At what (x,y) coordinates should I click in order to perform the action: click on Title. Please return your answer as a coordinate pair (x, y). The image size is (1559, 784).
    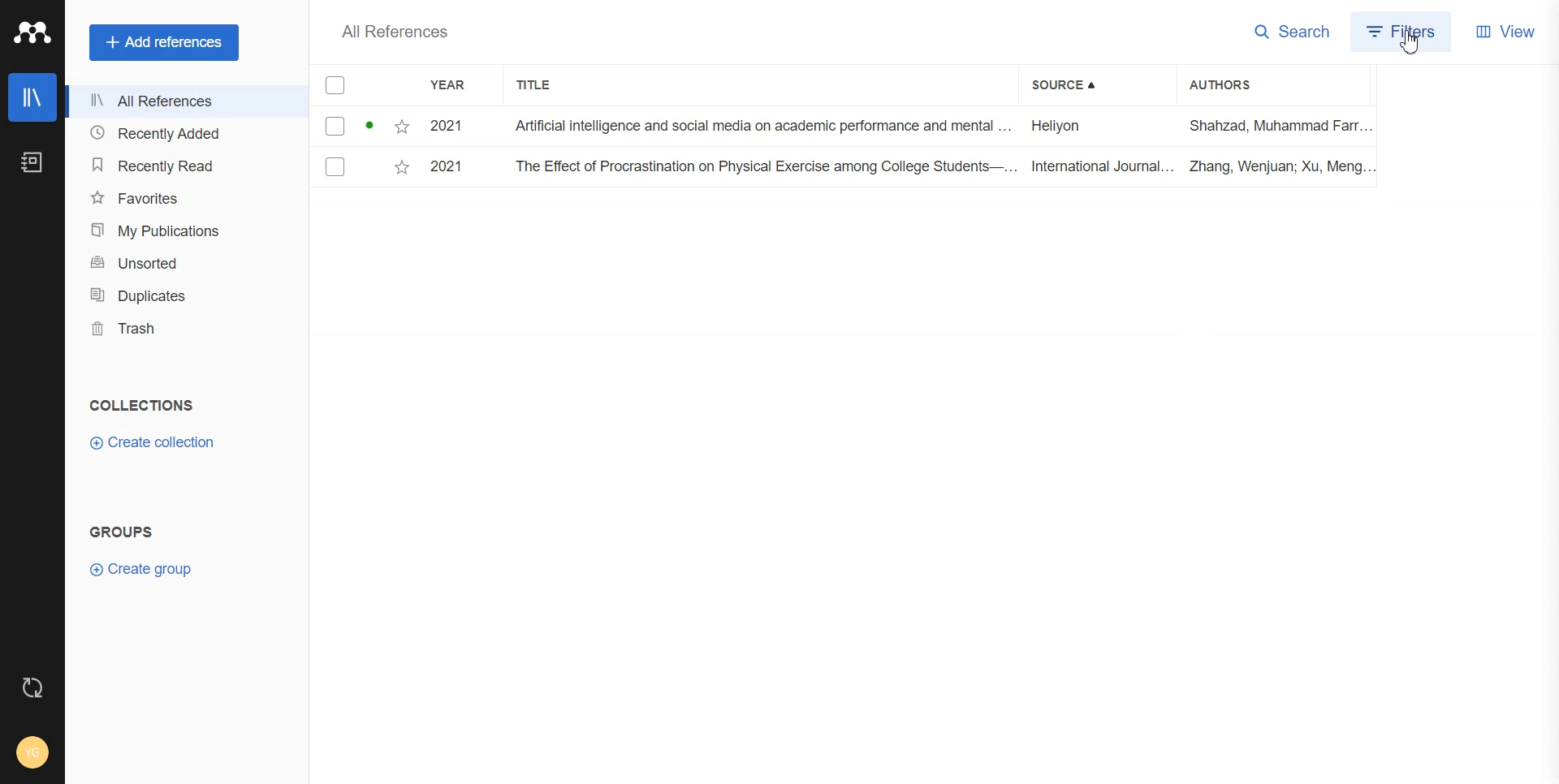
    Looking at the image, I should click on (542, 86).